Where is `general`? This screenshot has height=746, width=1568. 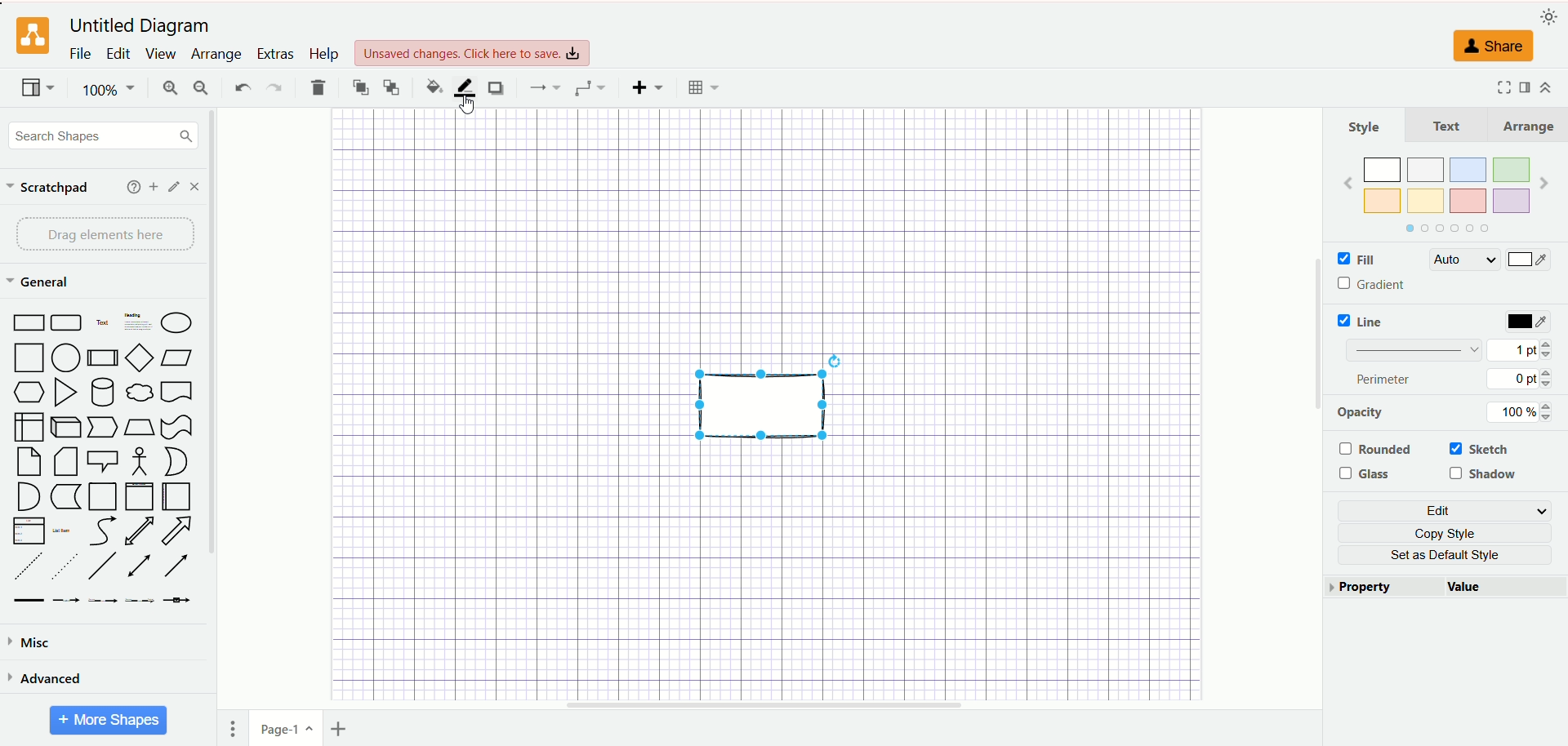
general is located at coordinates (40, 282).